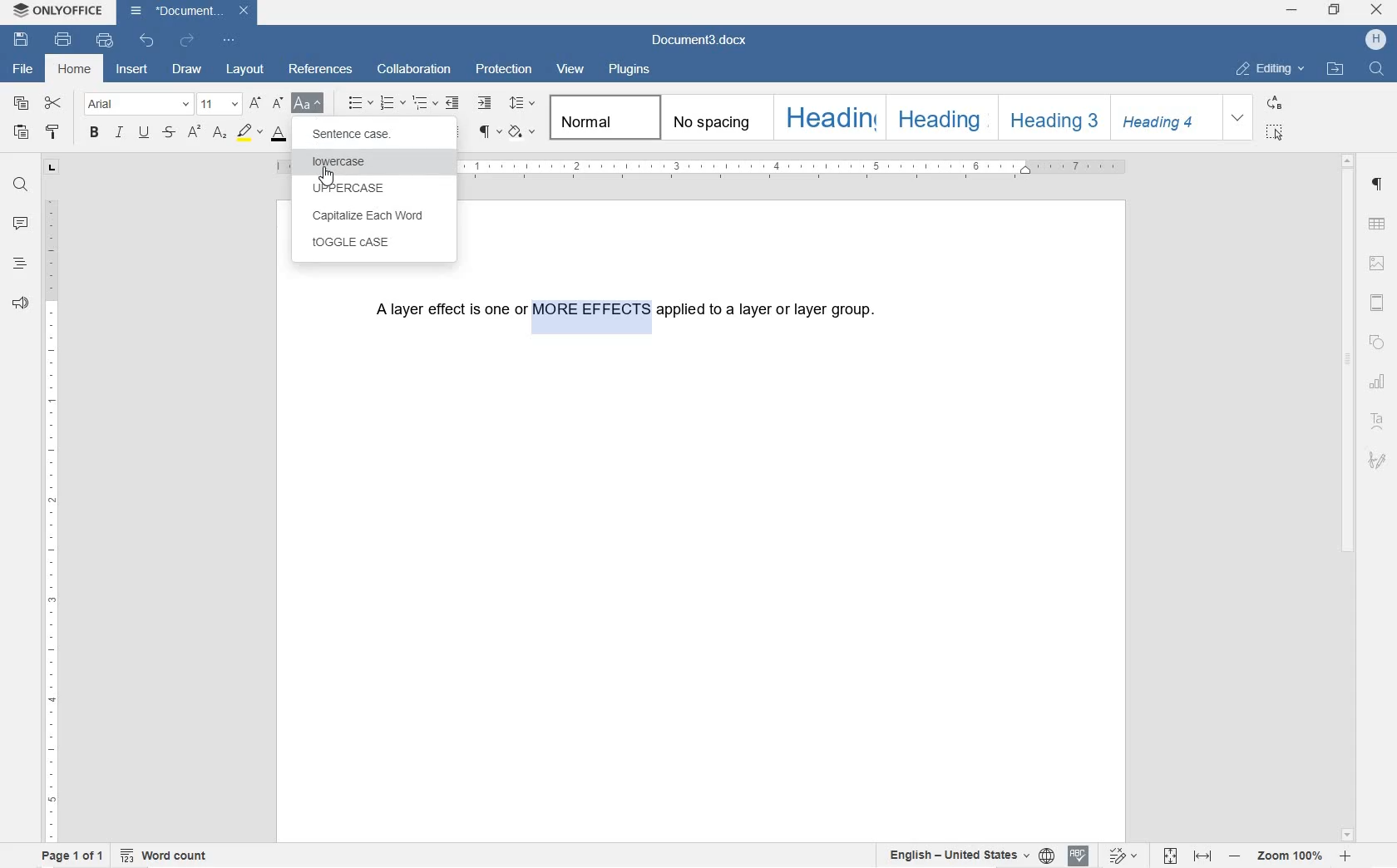 The width and height of the screenshot is (1397, 868). I want to click on FONT SIZE, so click(219, 103).